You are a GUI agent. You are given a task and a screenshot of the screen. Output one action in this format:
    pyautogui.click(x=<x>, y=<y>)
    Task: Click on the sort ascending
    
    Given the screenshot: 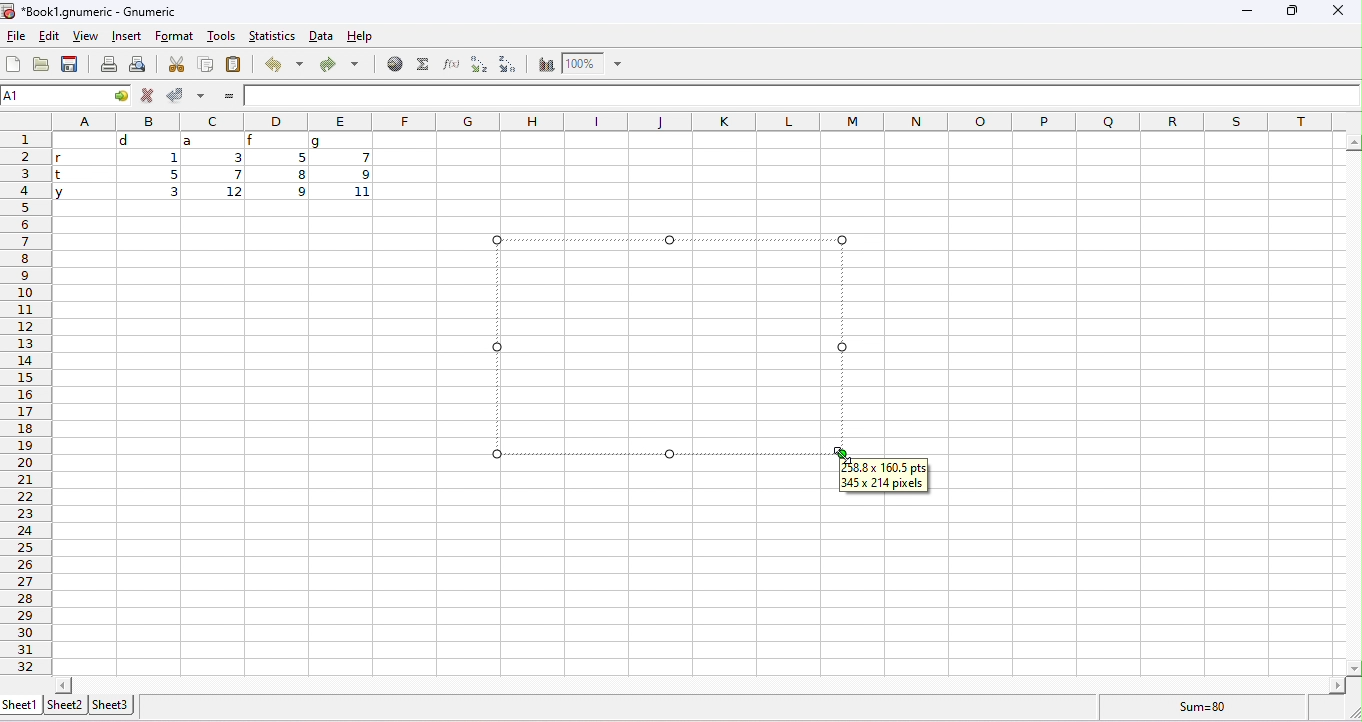 What is the action you would take?
    pyautogui.click(x=477, y=64)
    